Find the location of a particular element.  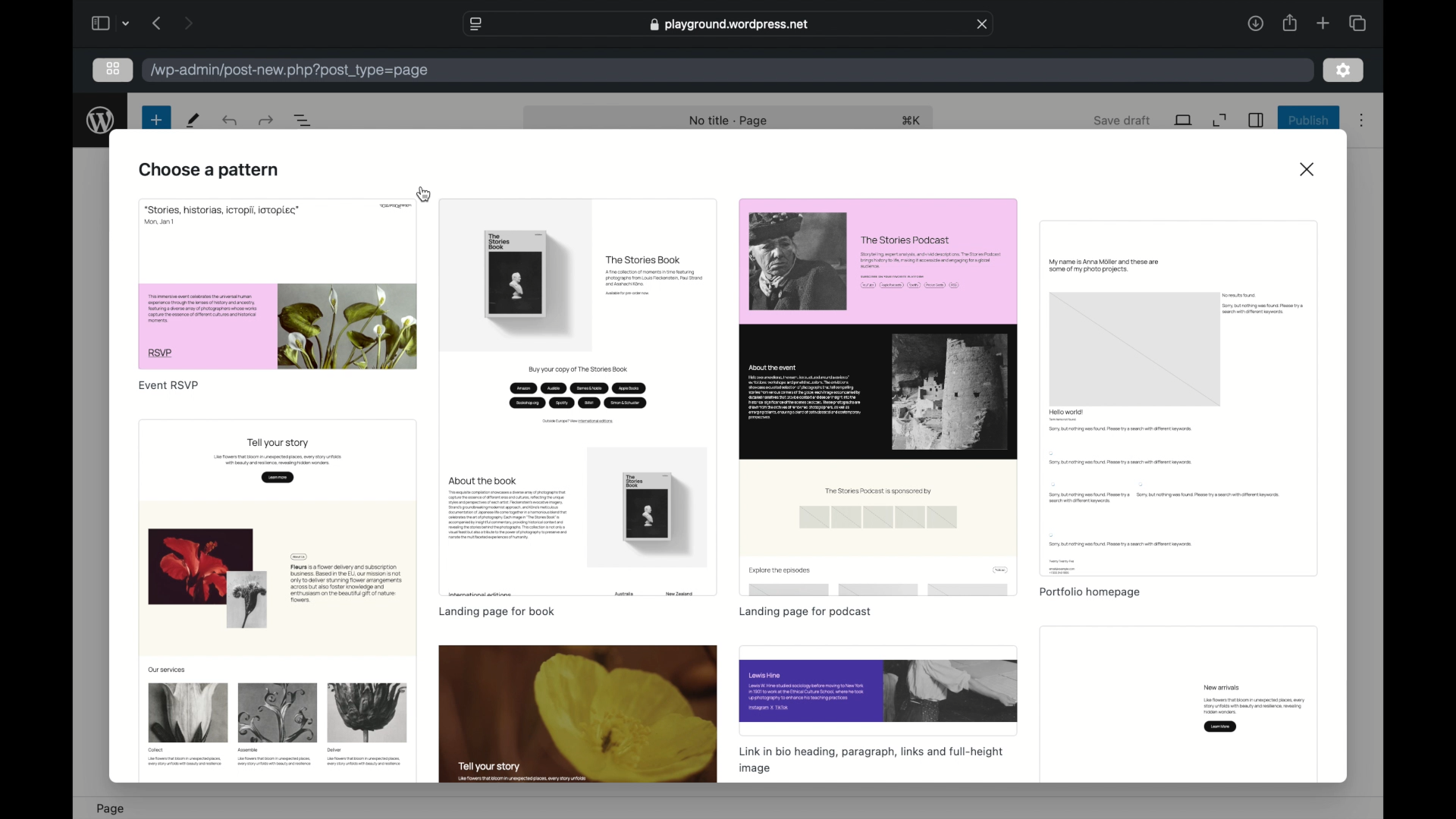

settings is located at coordinates (1343, 69).